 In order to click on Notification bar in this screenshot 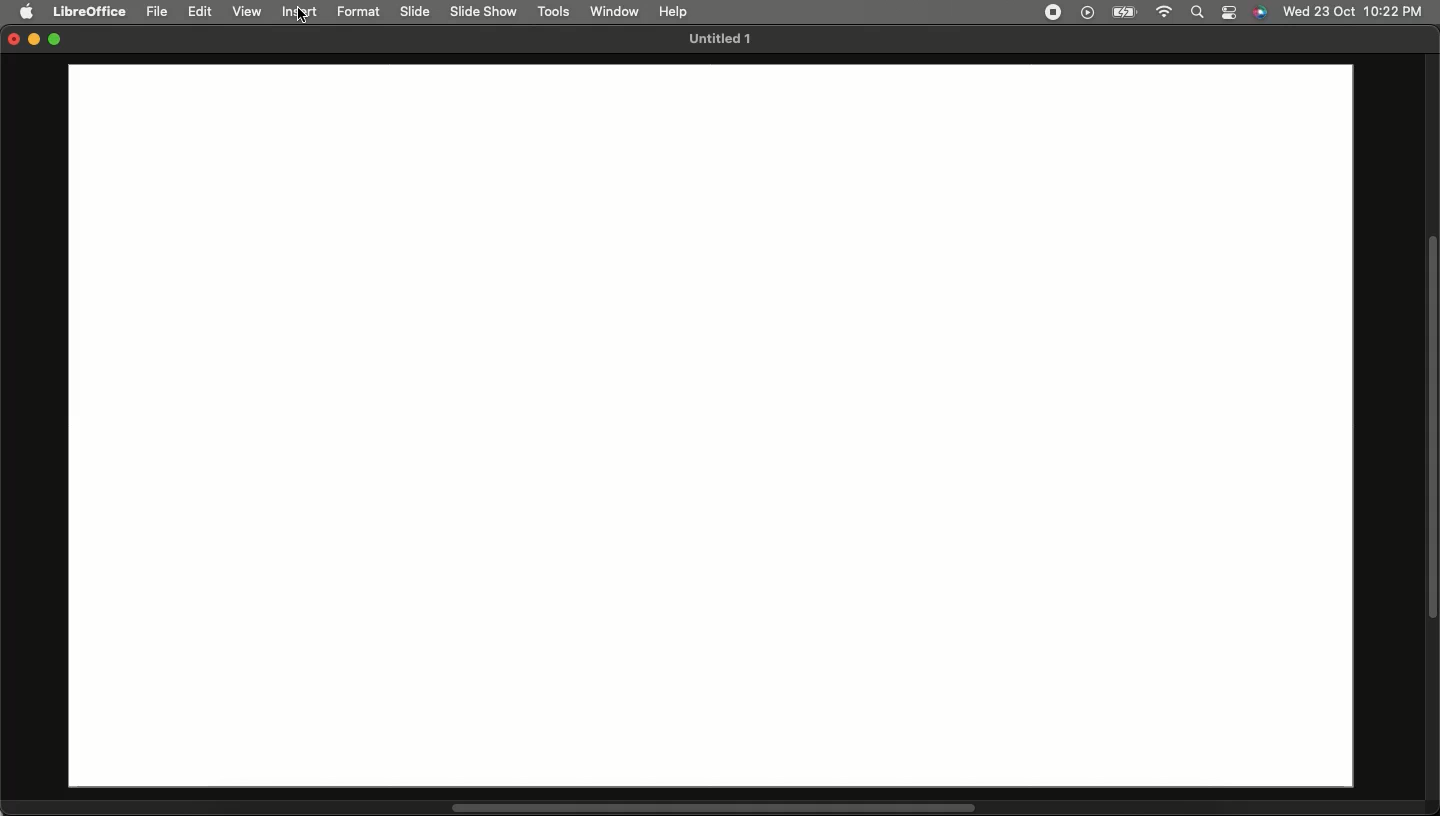, I will do `click(1230, 13)`.